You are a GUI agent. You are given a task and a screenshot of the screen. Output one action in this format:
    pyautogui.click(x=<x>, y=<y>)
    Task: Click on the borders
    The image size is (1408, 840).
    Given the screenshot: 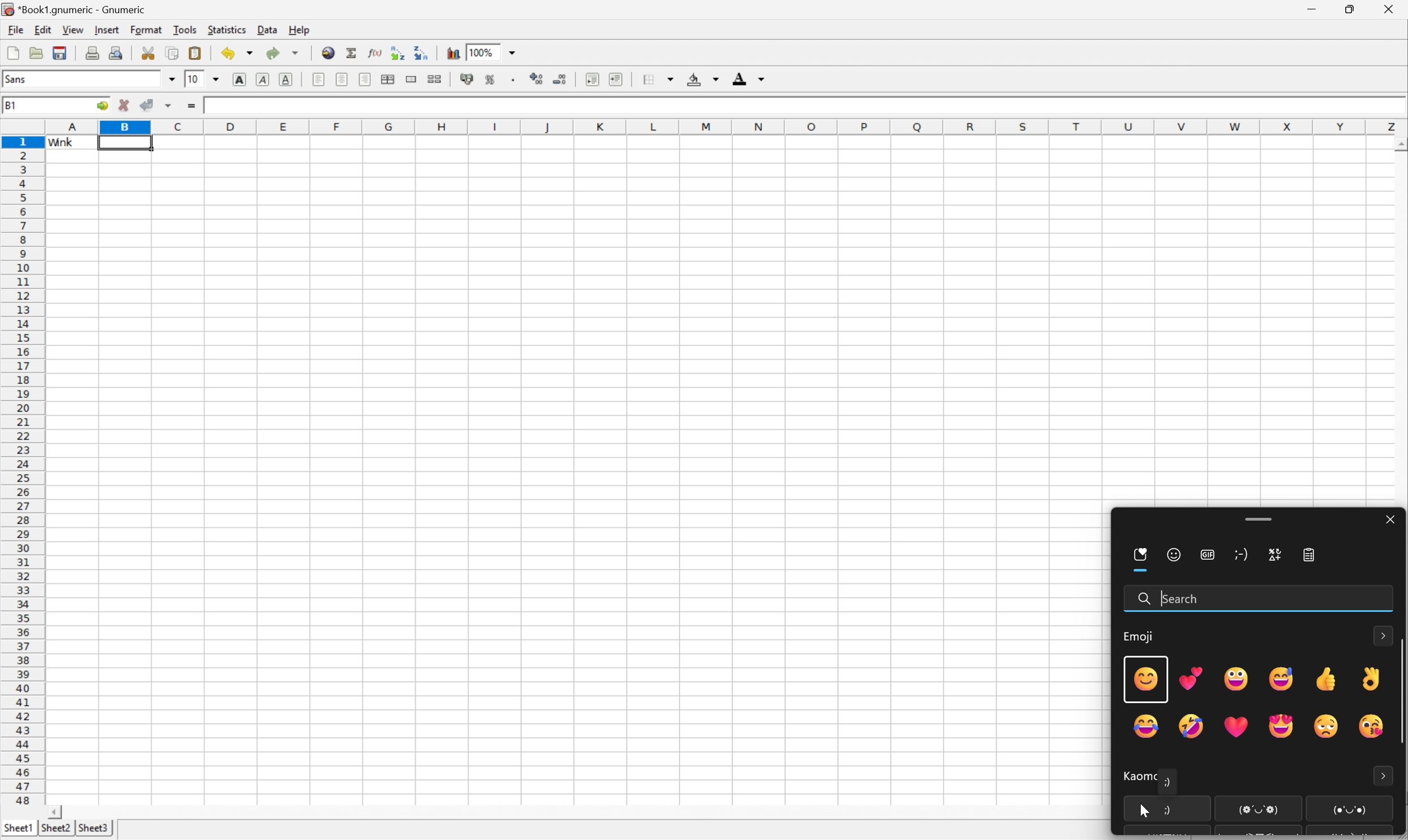 What is the action you would take?
    pyautogui.click(x=657, y=79)
    